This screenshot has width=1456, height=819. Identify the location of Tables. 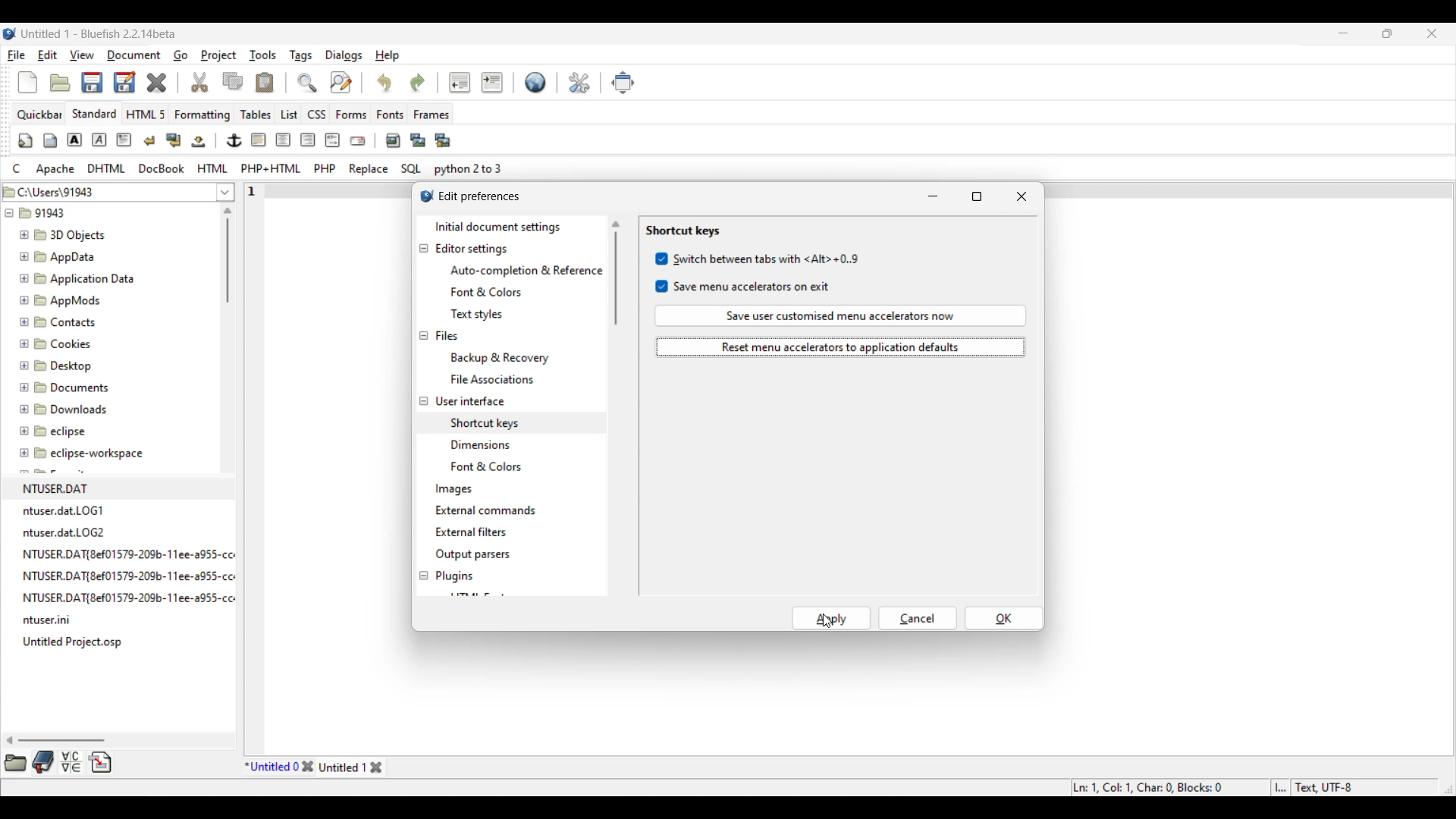
(256, 114).